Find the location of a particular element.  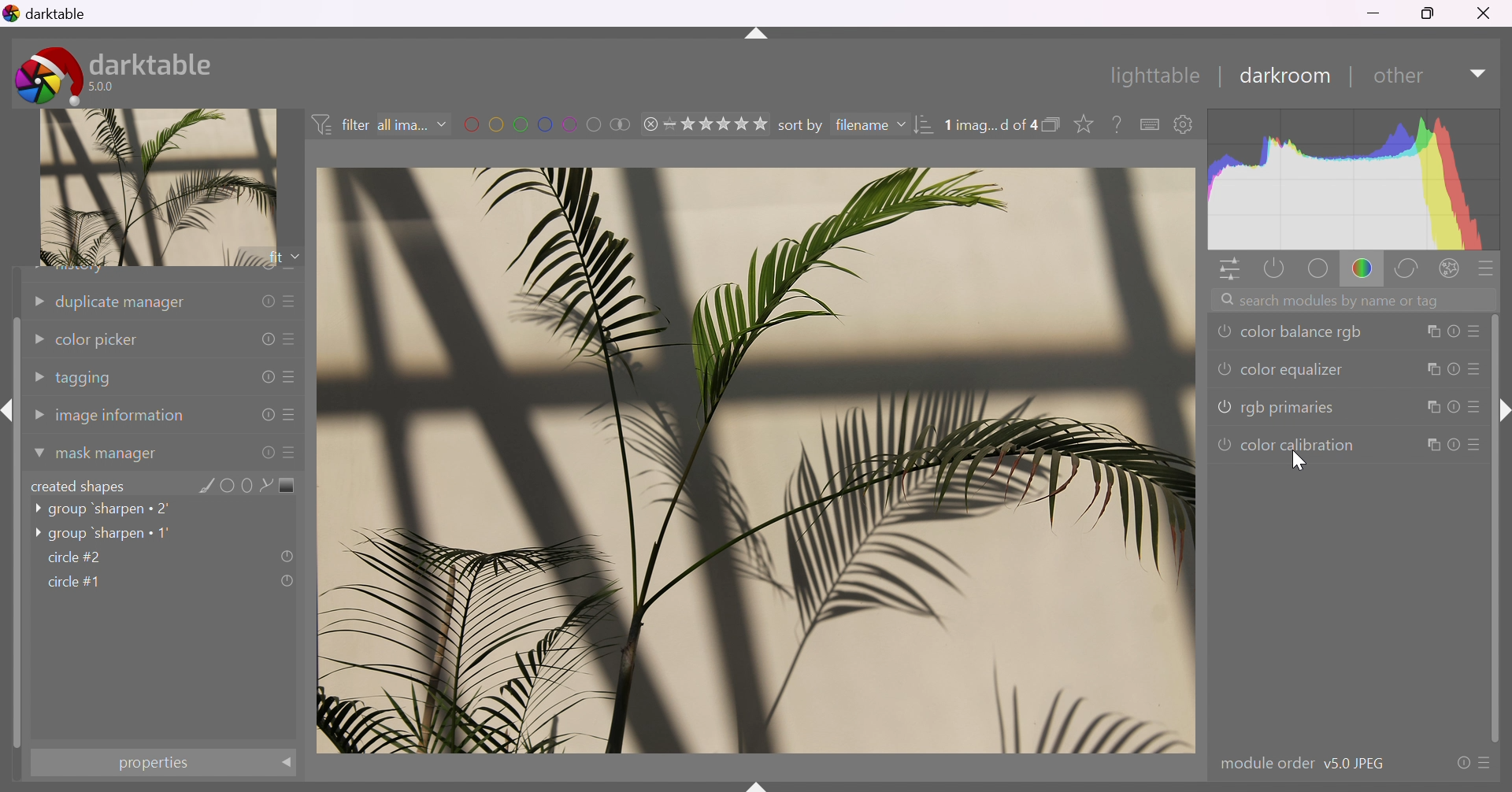

restore down is located at coordinates (1431, 13).